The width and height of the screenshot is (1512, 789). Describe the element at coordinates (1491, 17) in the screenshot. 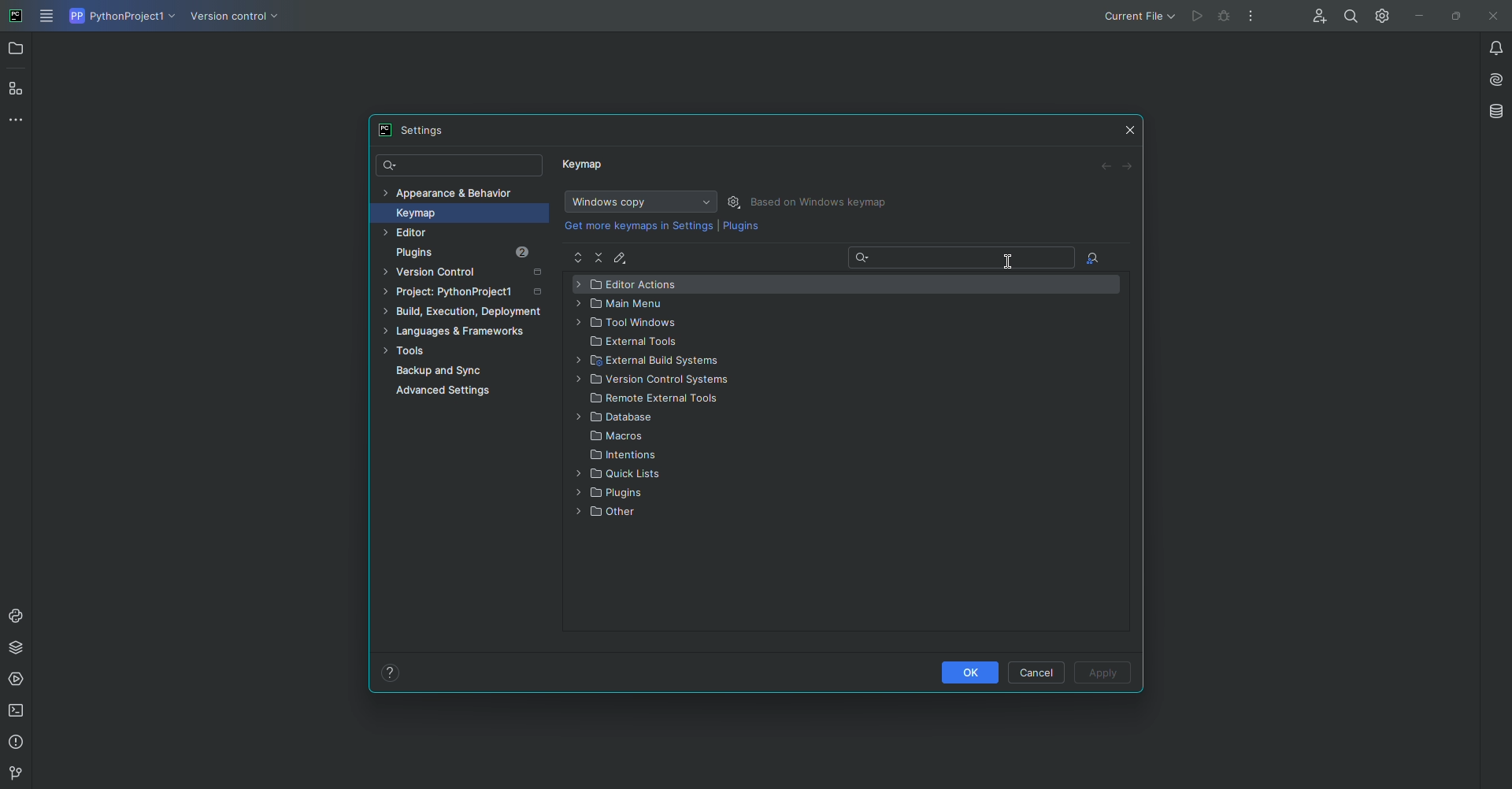

I see `Close` at that location.